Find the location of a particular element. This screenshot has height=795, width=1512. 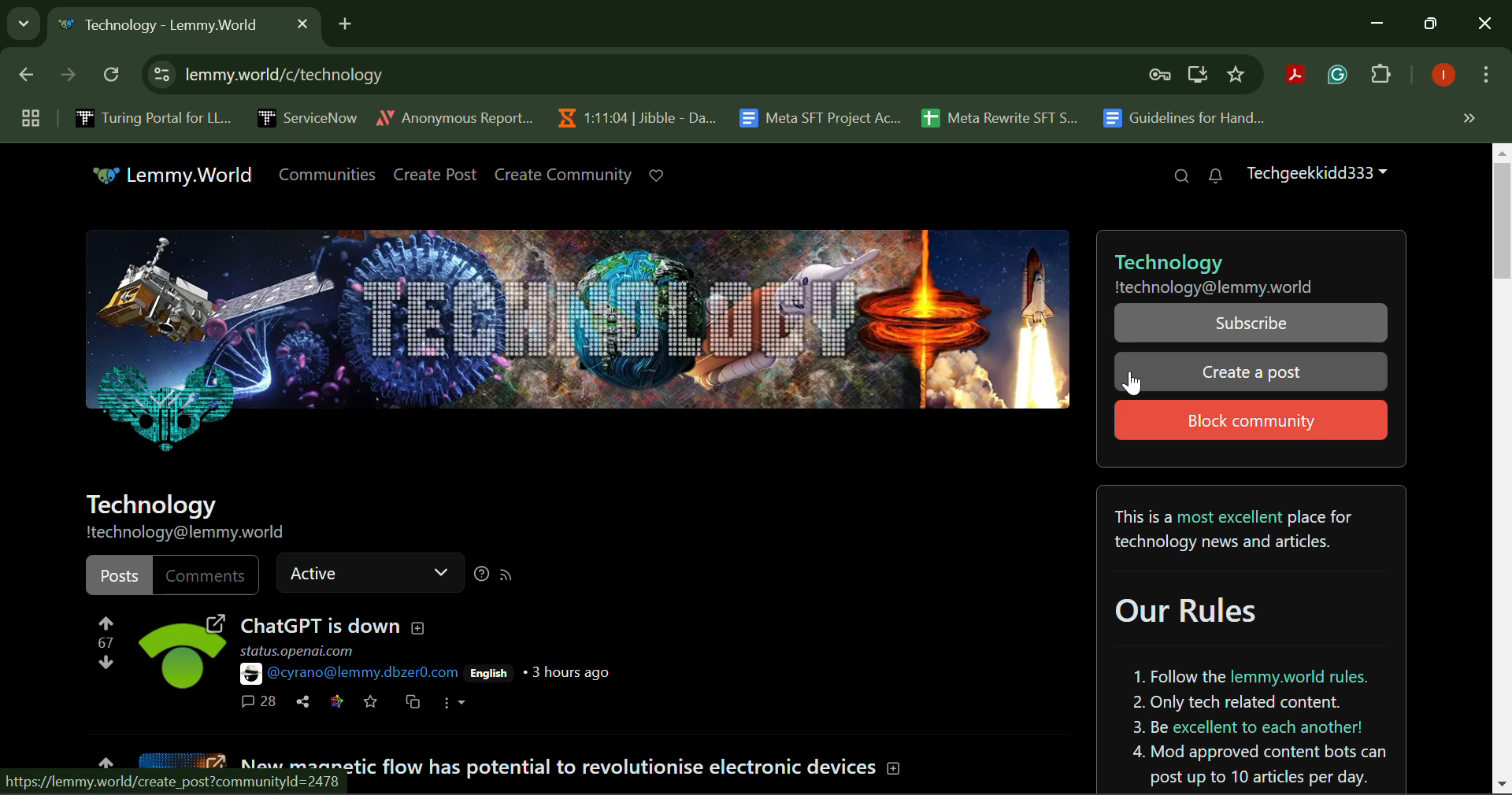

English is located at coordinates (491, 671).